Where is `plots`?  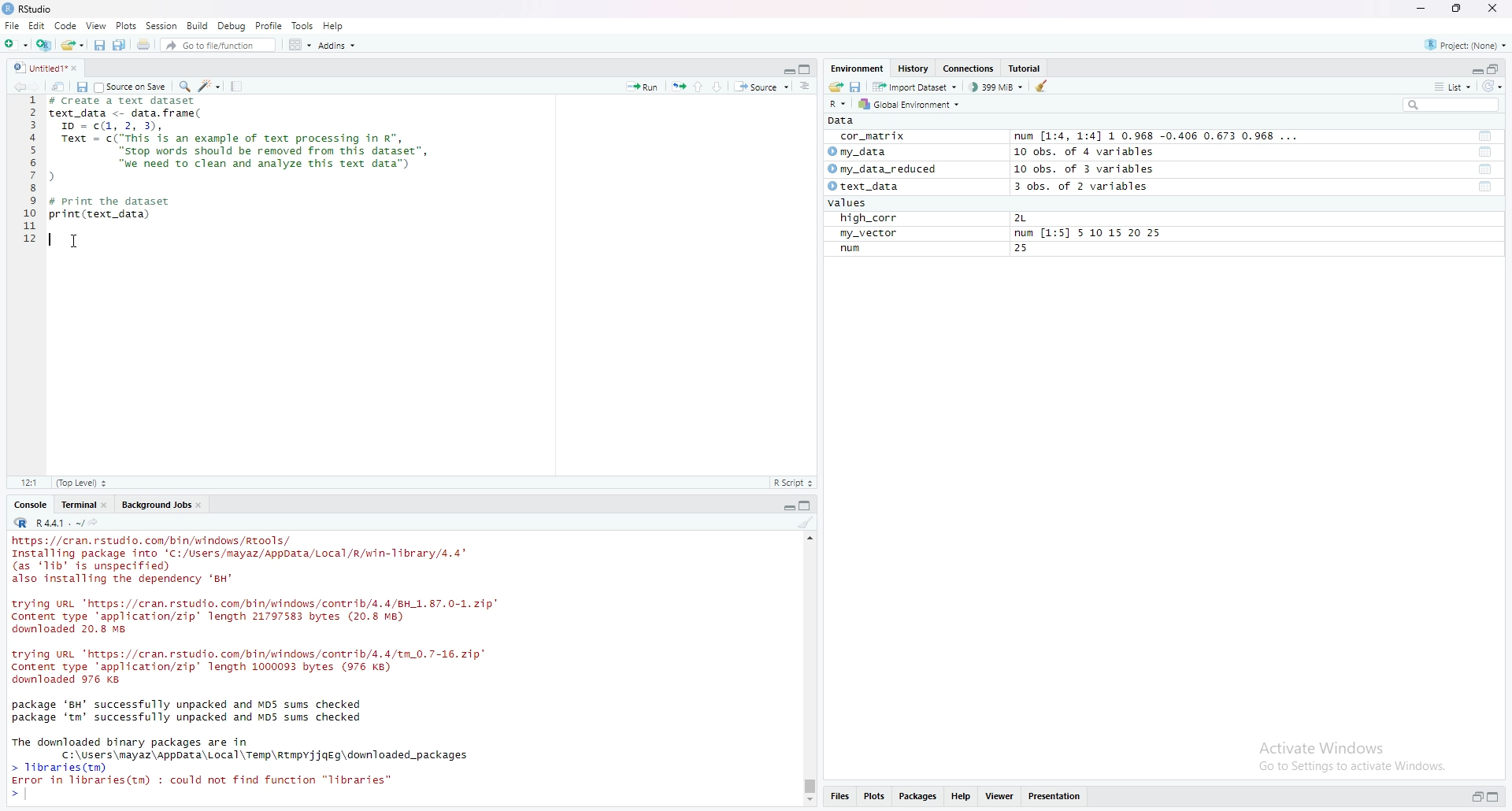
plots is located at coordinates (126, 27).